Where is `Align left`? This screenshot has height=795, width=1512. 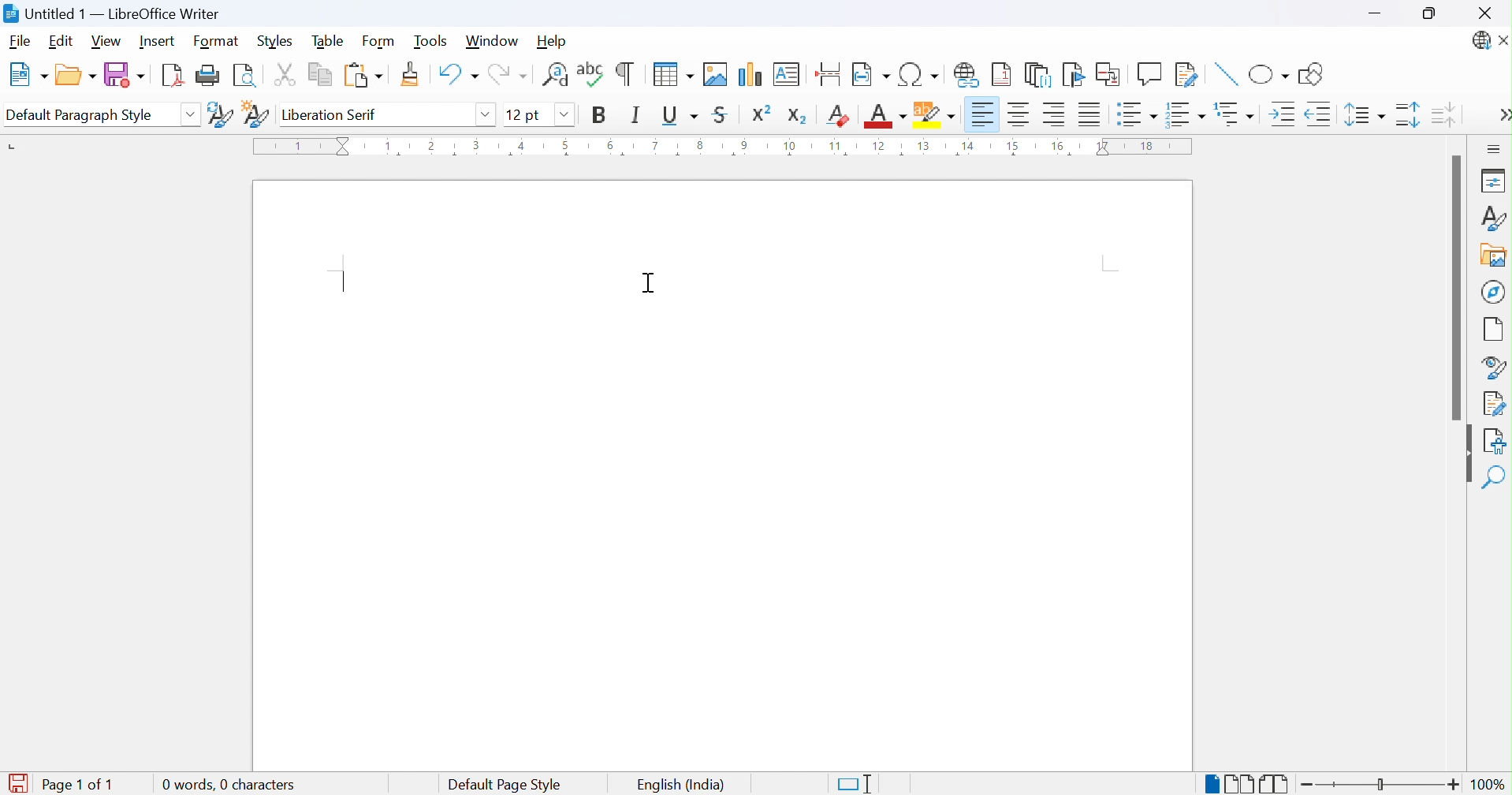 Align left is located at coordinates (983, 115).